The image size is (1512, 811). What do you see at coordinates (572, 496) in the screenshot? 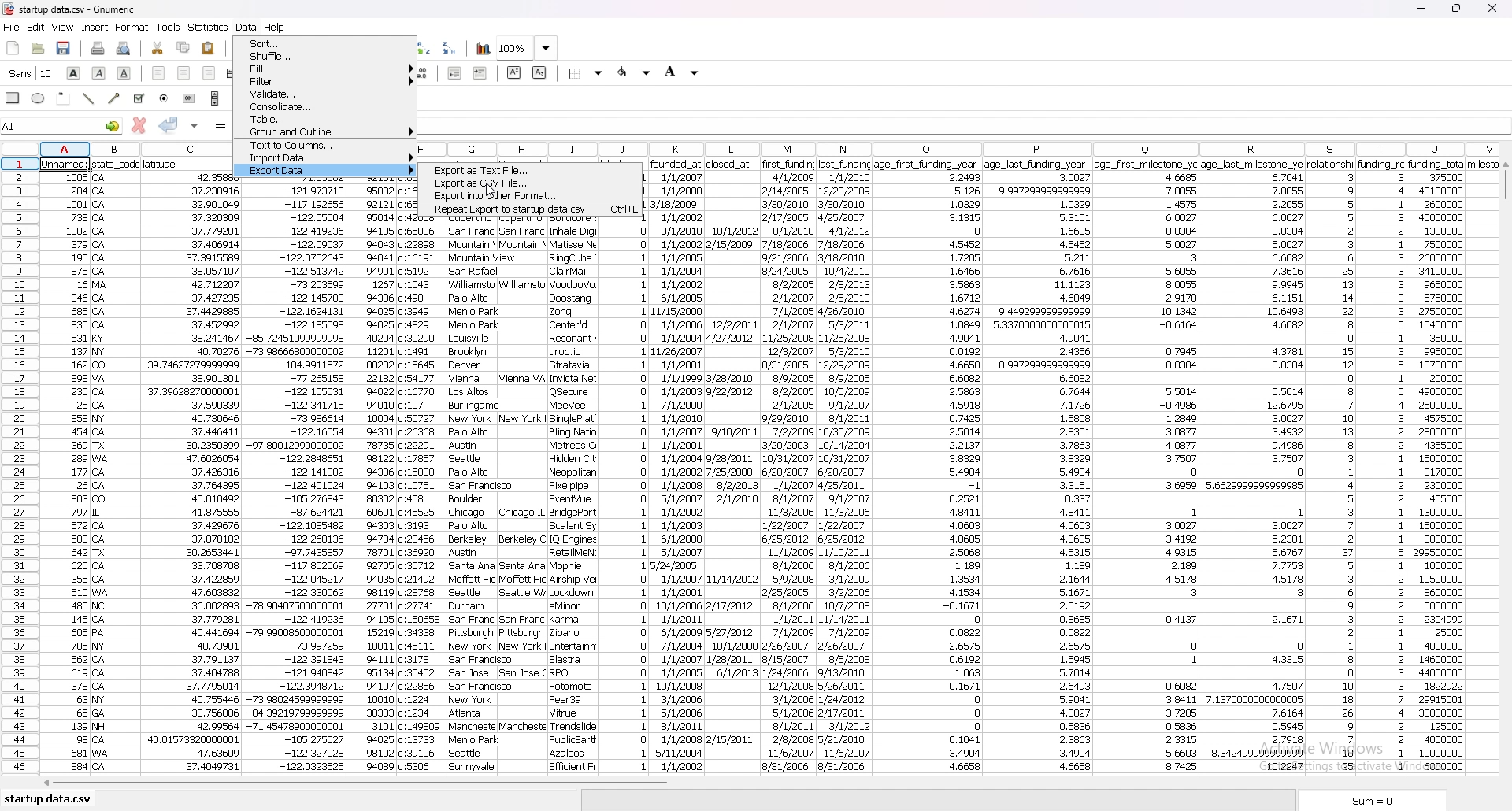
I see `data` at bounding box center [572, 496].